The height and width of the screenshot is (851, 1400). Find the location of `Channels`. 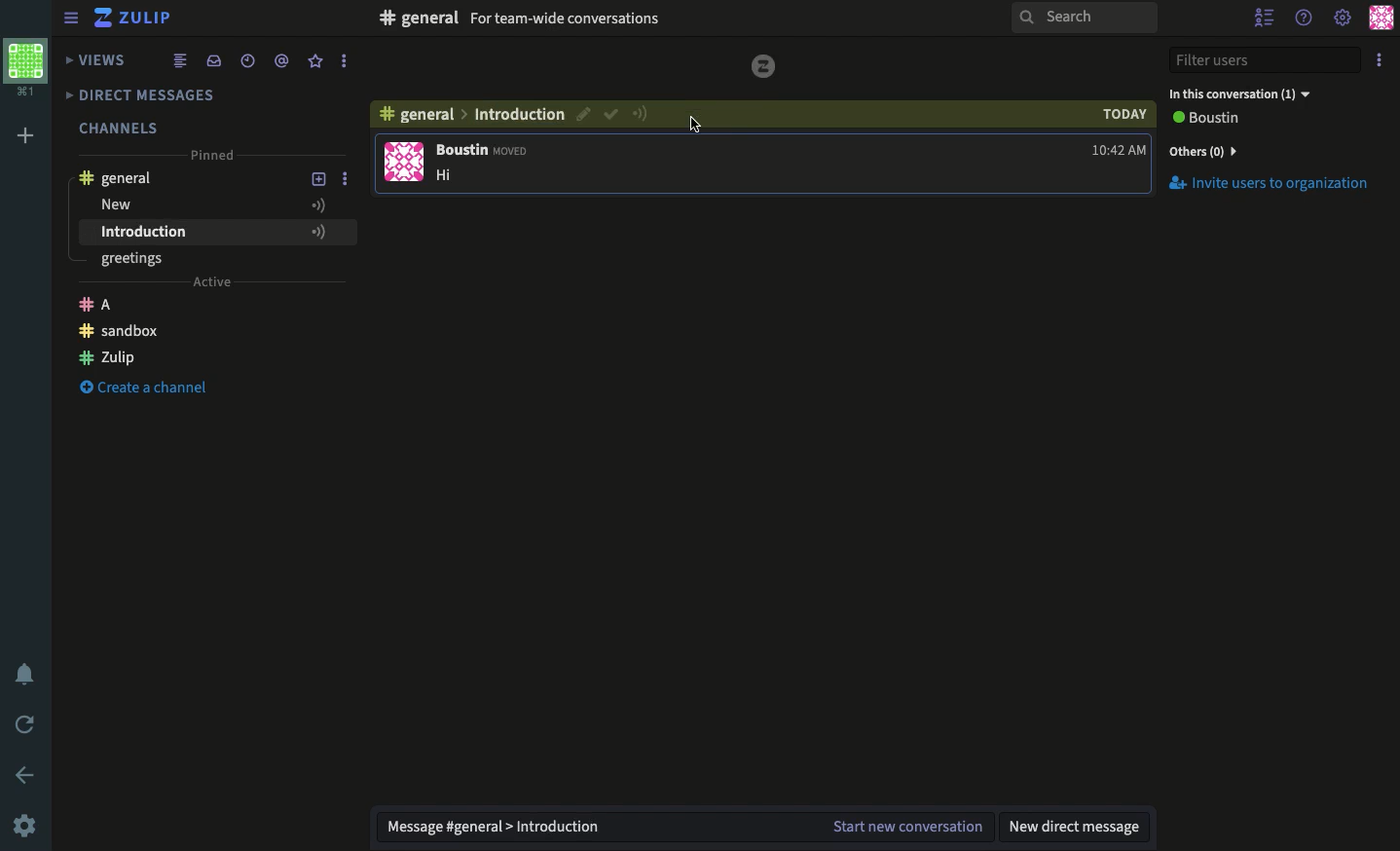

Channels is located at coordinates (121, 124).